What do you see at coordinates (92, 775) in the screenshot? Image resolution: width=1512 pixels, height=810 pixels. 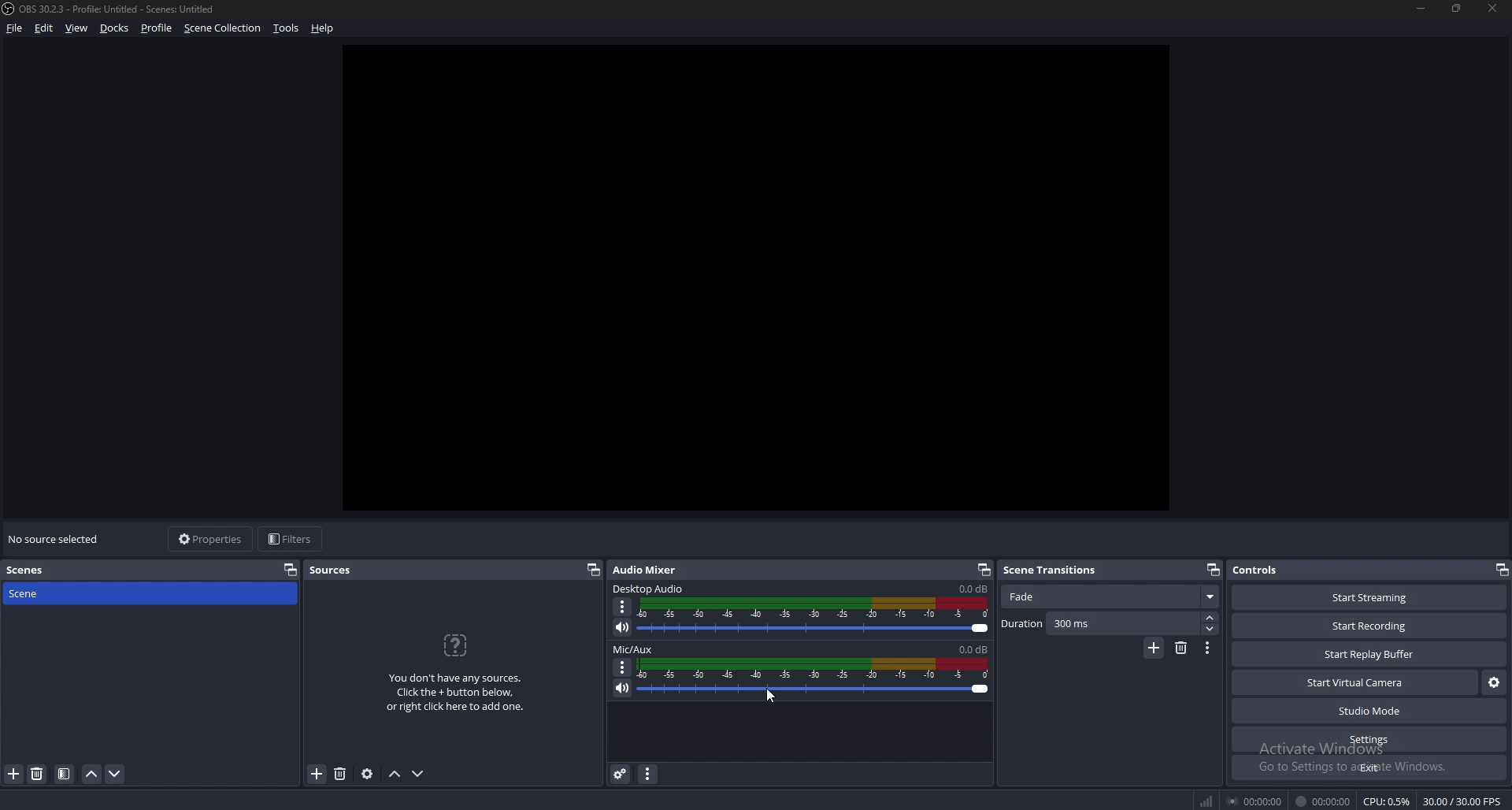 I see `move scene up` at bounding box center [92, 775].